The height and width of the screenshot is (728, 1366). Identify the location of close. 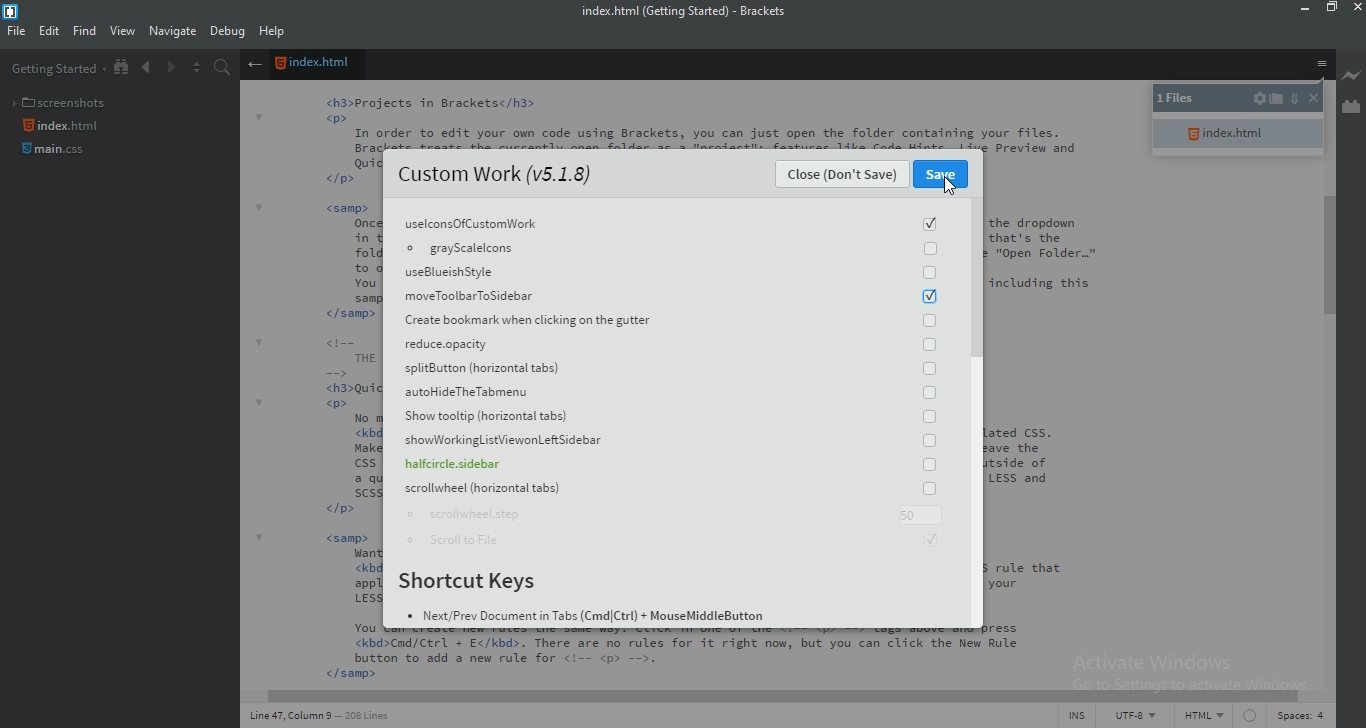
(1311, 100).